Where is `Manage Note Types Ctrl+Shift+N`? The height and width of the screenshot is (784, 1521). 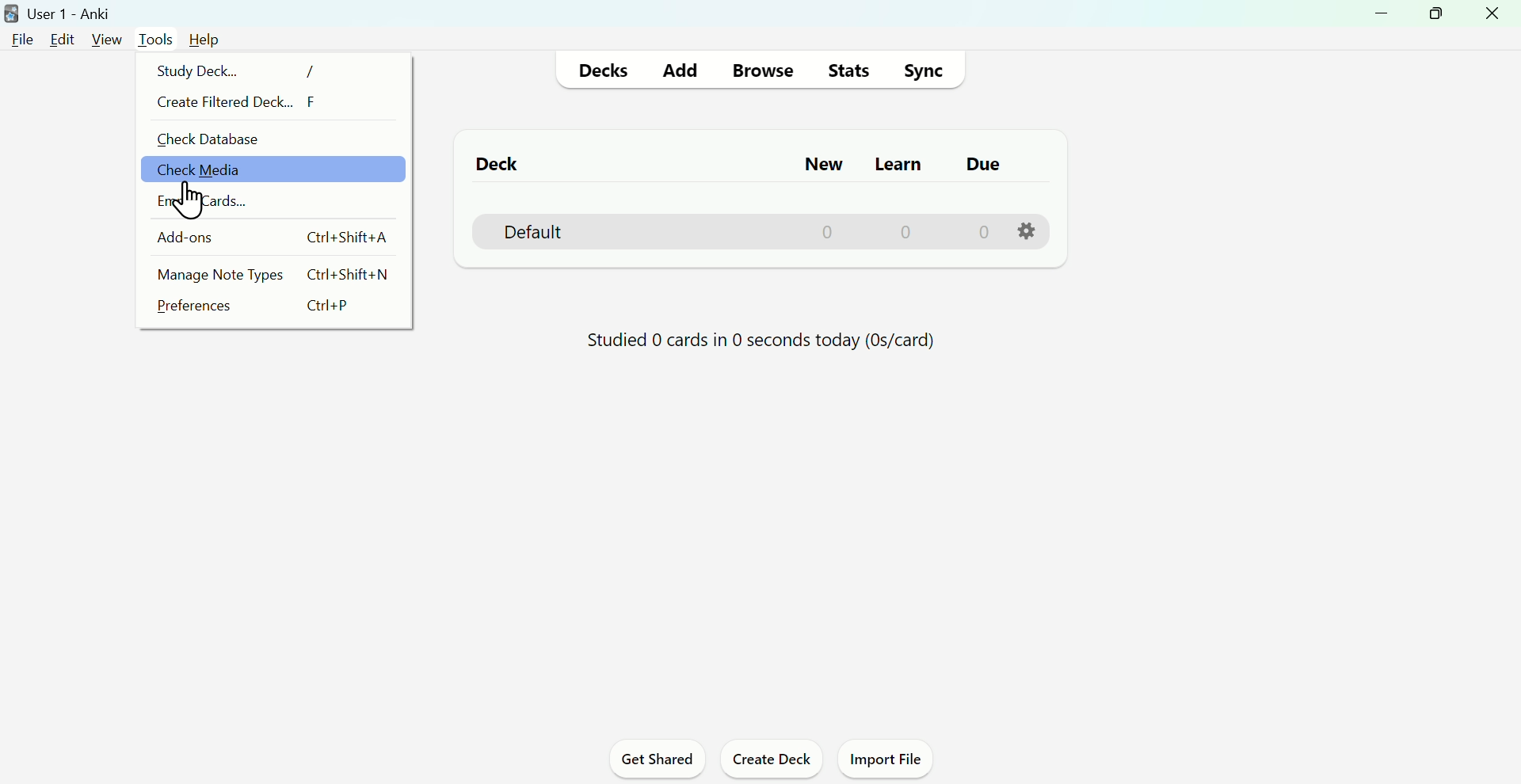 Manage Note Types Ctrl+Shift+N is located at coordinates (273, 275).